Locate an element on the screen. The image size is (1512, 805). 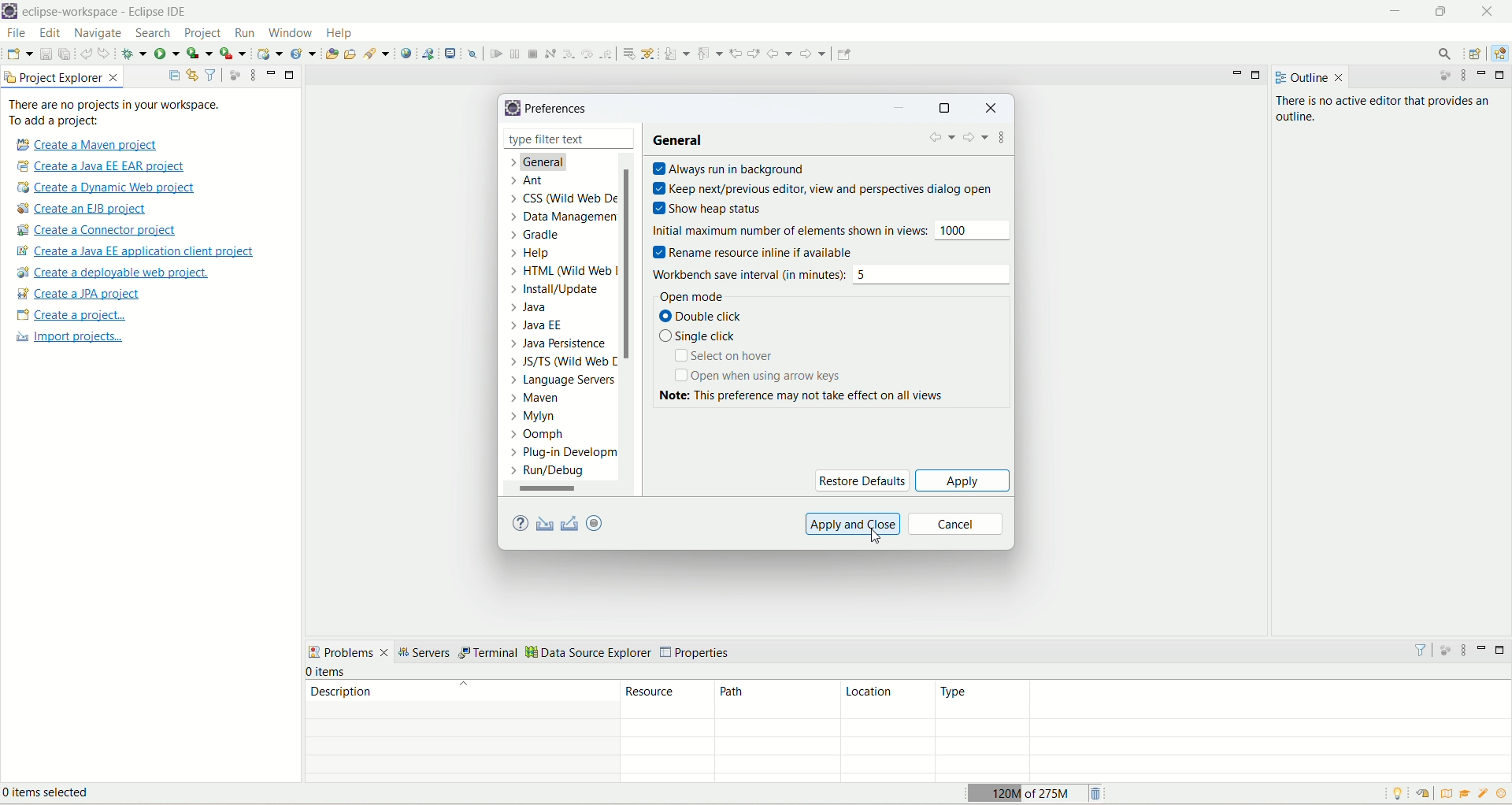
minimize is located at coordinates (271, 73).